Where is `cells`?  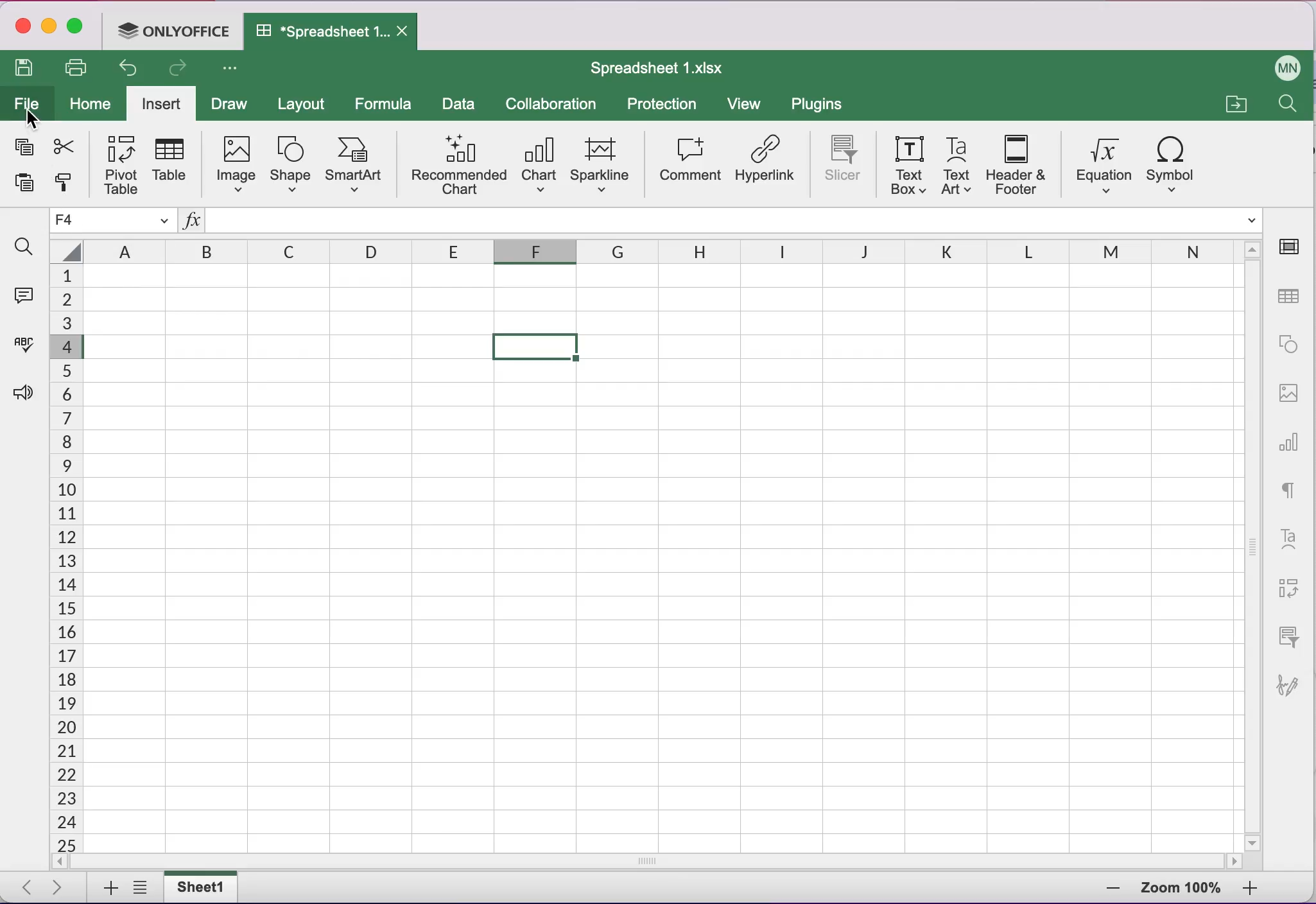
cells is located at coordinates (65, 559).